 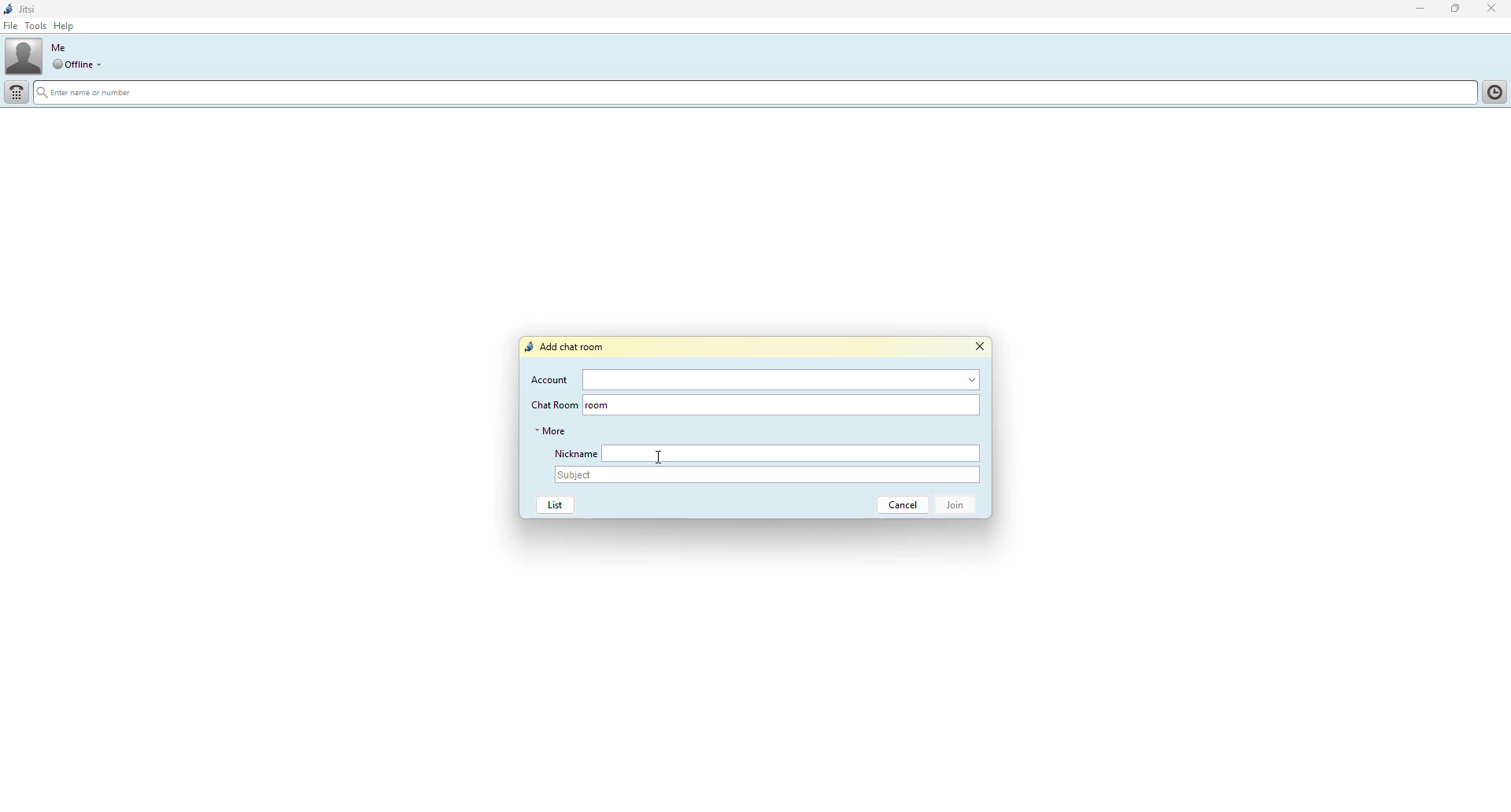 What do you see at coordinates (551, 379) in the screenshot?
I see `account` at bounding box center [551, 379].